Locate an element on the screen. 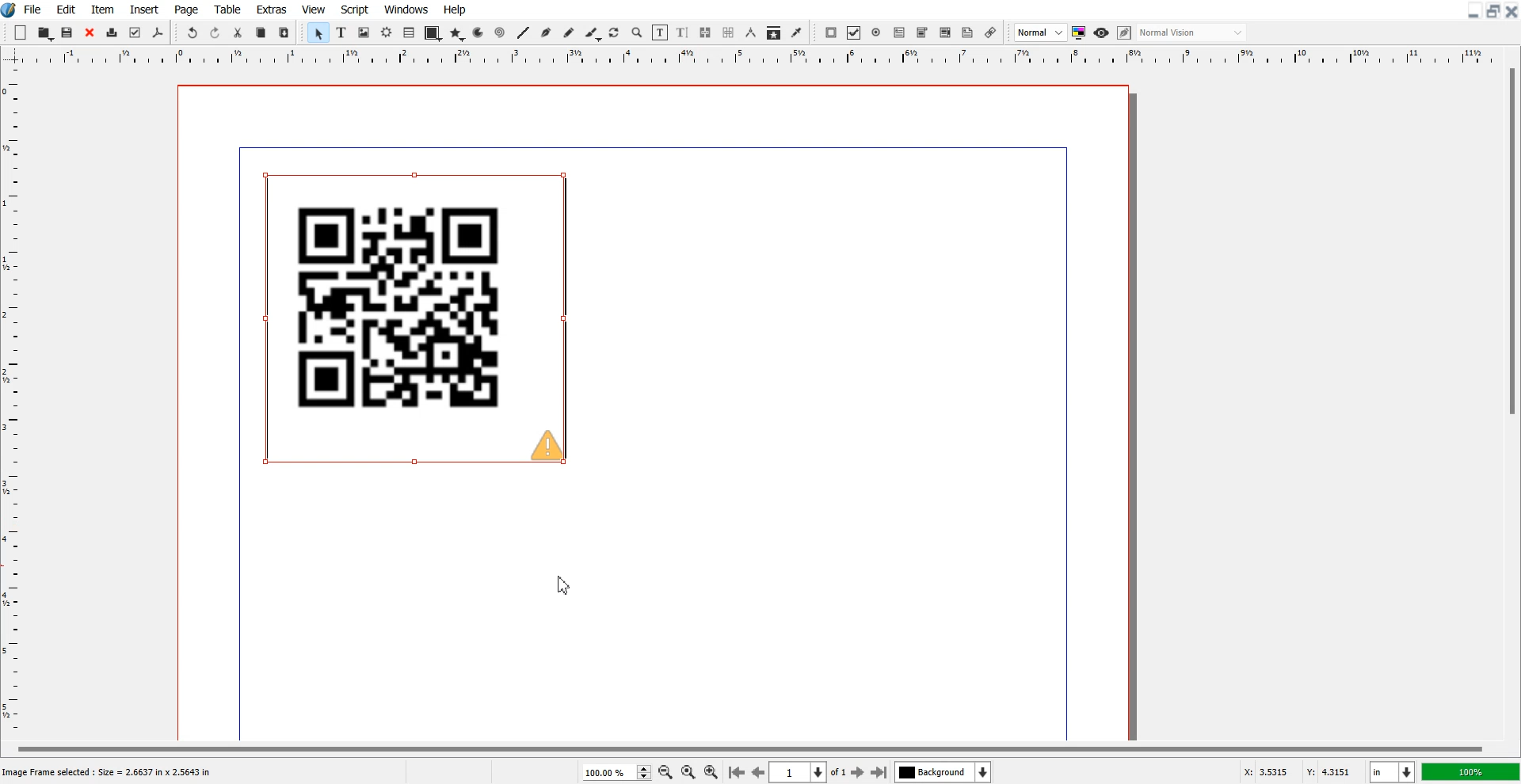 Image resolution: width=1521 pixels, height=784 pixels. Spiral is located at coordinates (499, 32).